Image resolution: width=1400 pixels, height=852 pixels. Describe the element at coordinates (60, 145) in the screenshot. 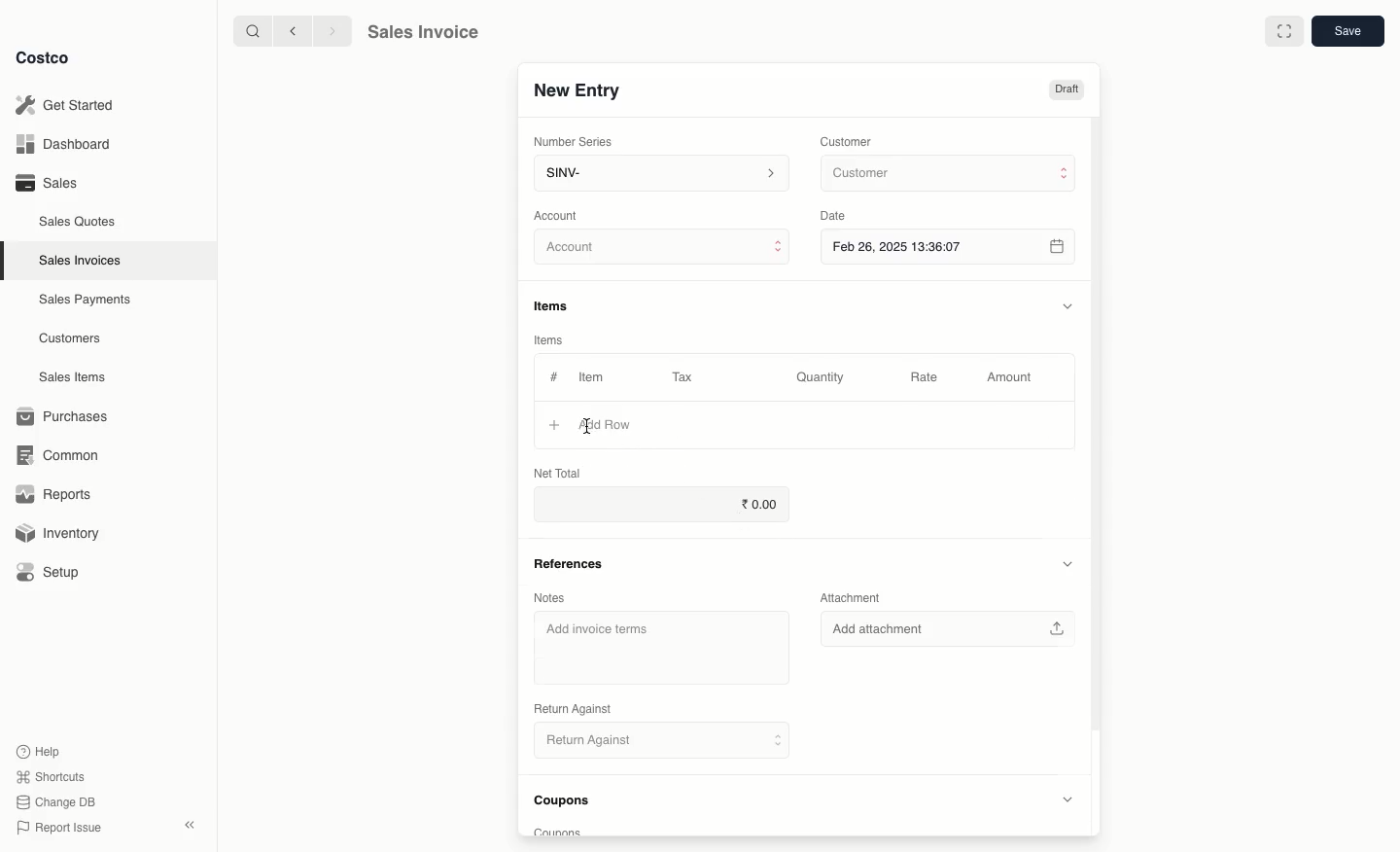

I see `Dashboard` at that location.